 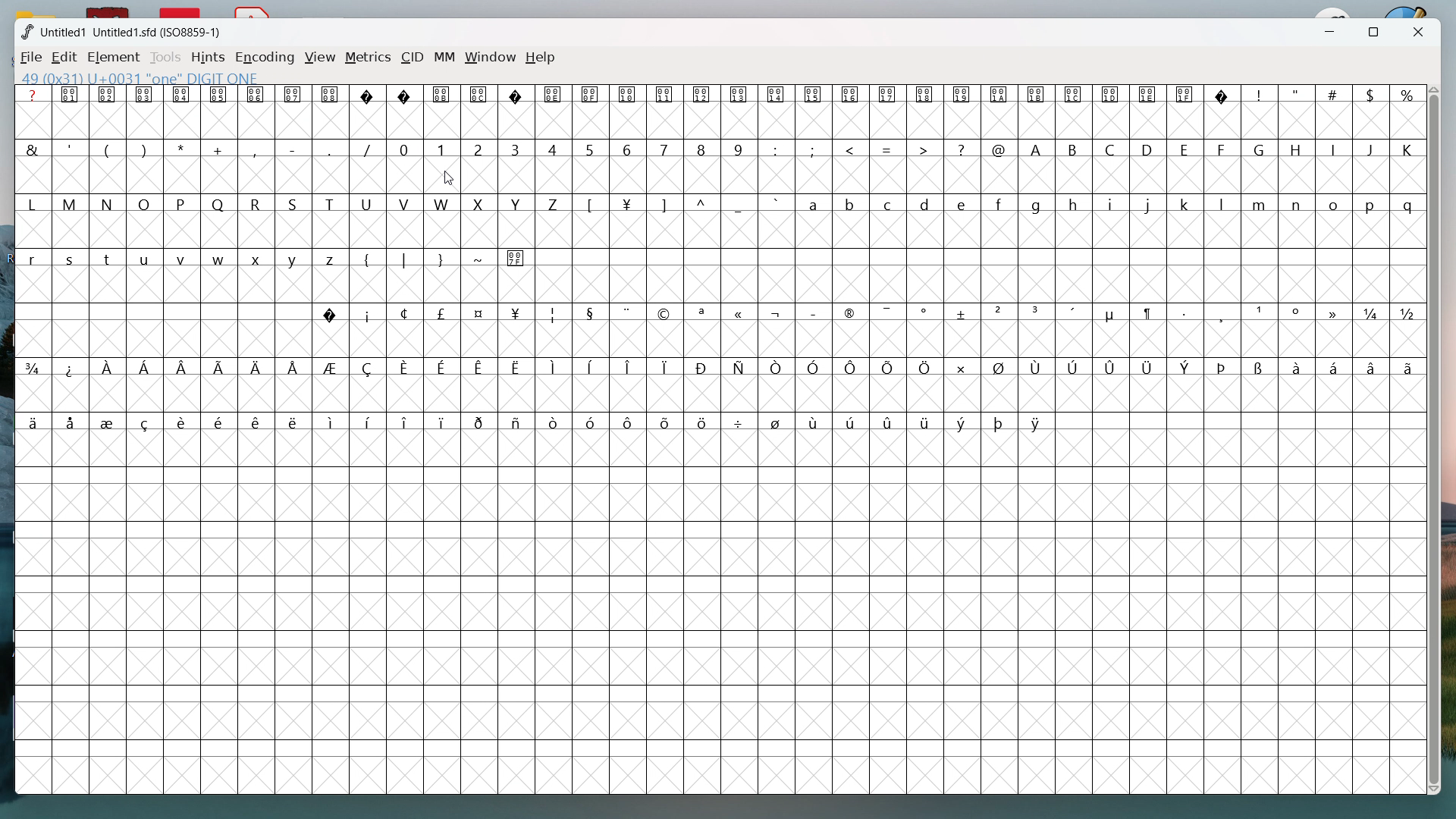 What do you see at coordinates (740, 312) in the screenshot?
I see `symbol` at bounding box center [740, 312].